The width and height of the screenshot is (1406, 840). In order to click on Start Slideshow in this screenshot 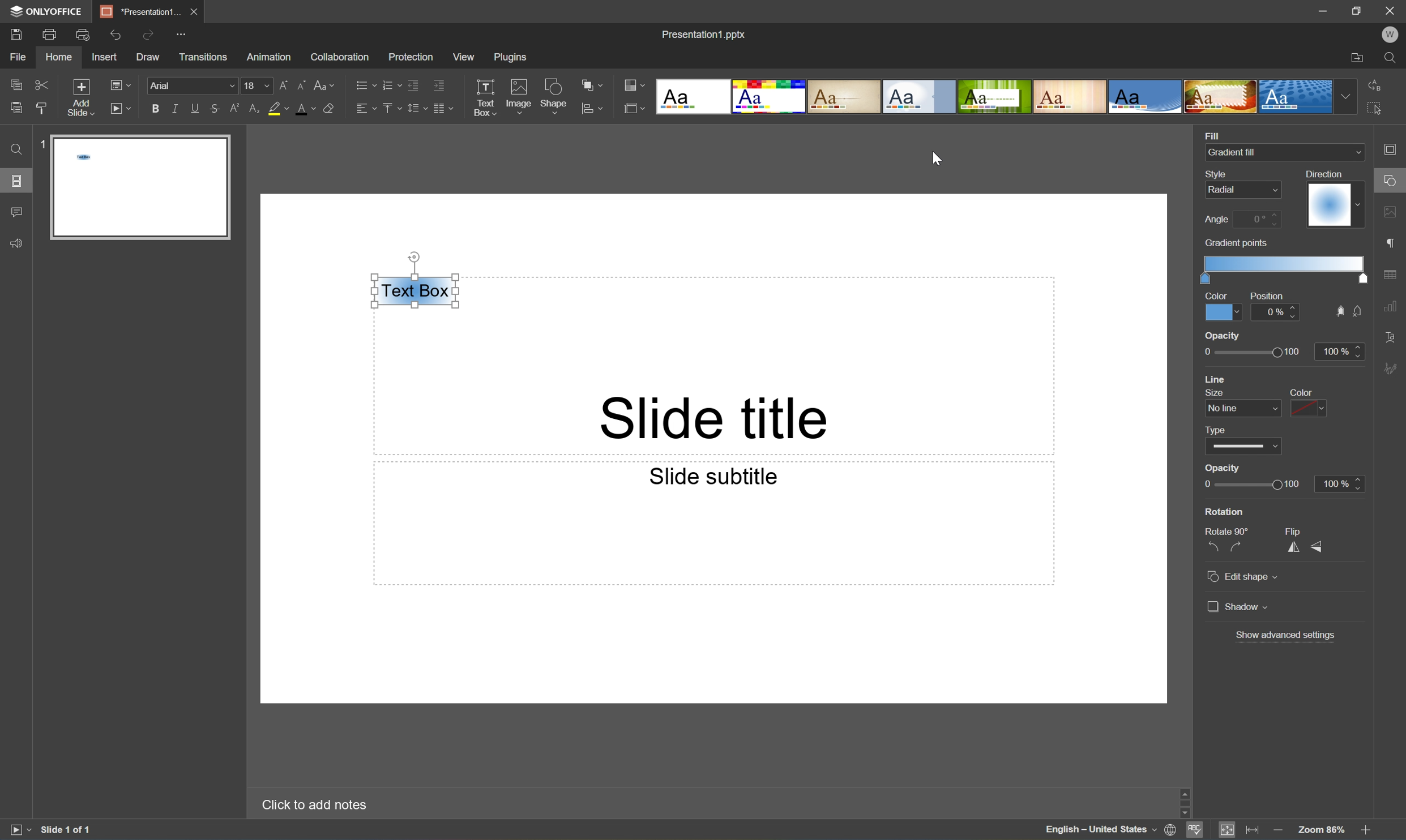, I will do `click(119, 108)`.